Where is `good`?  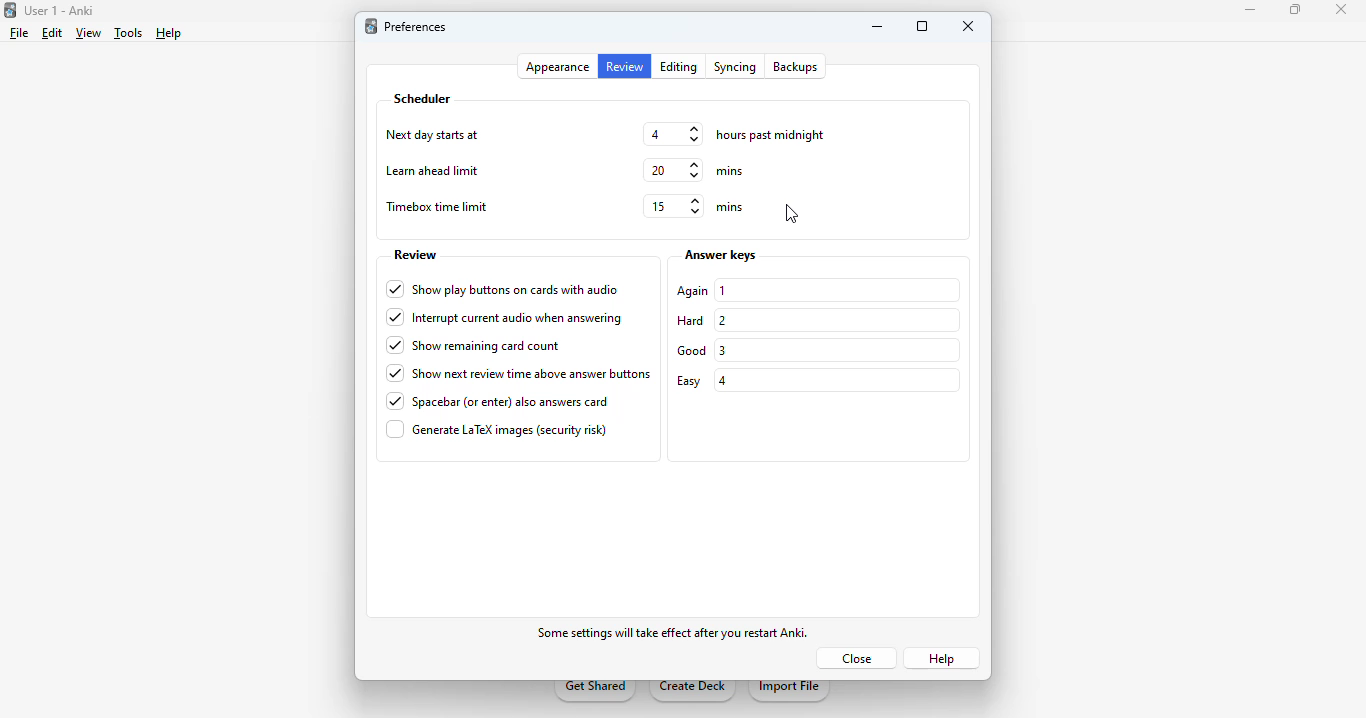
good is located at coordinates (693, 350).